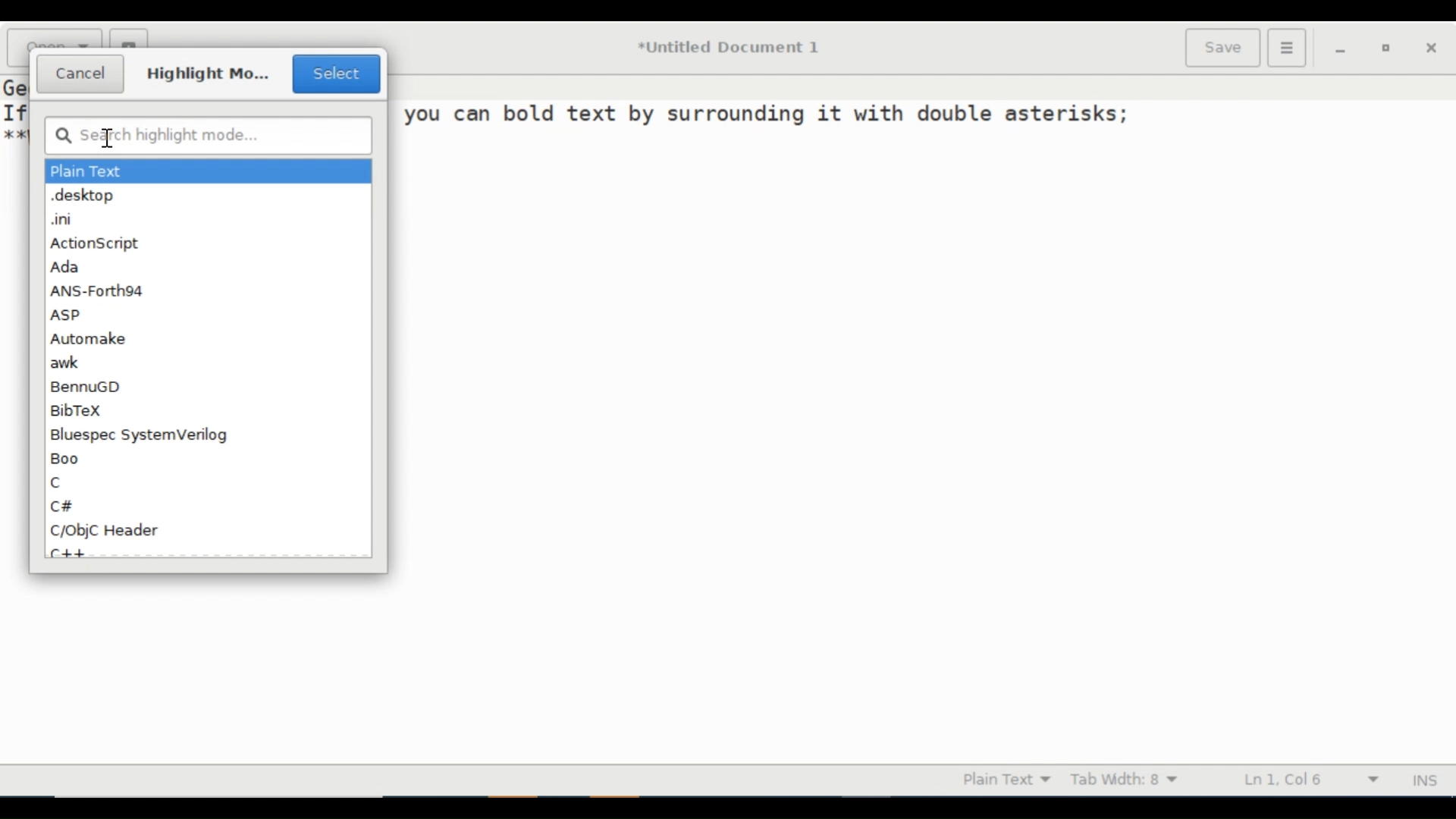 This screenshot has width=1456, height=819. I want to click on awk, so click(67, 362).